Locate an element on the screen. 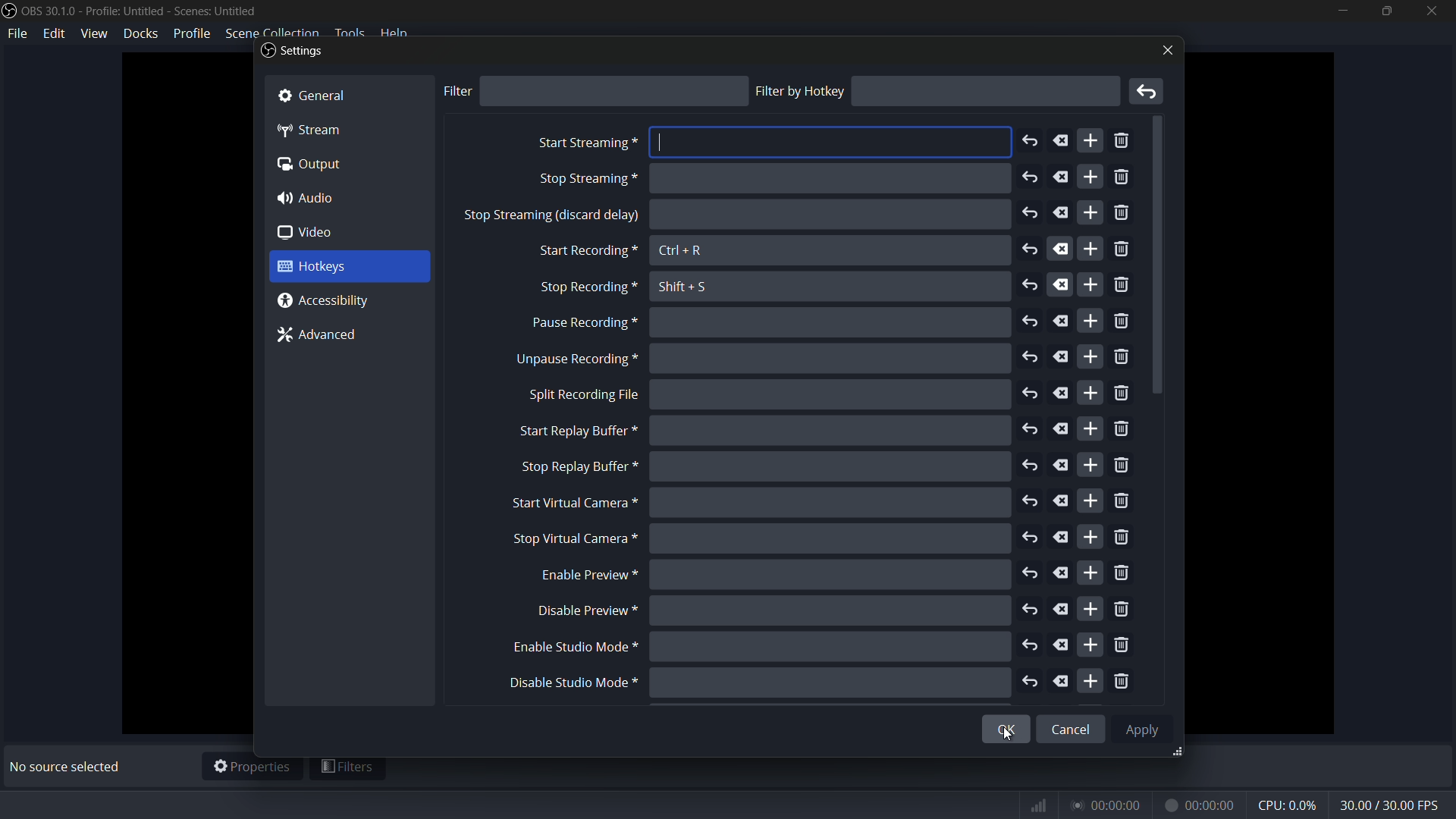  tools menu is located at coordinates (349, 33).